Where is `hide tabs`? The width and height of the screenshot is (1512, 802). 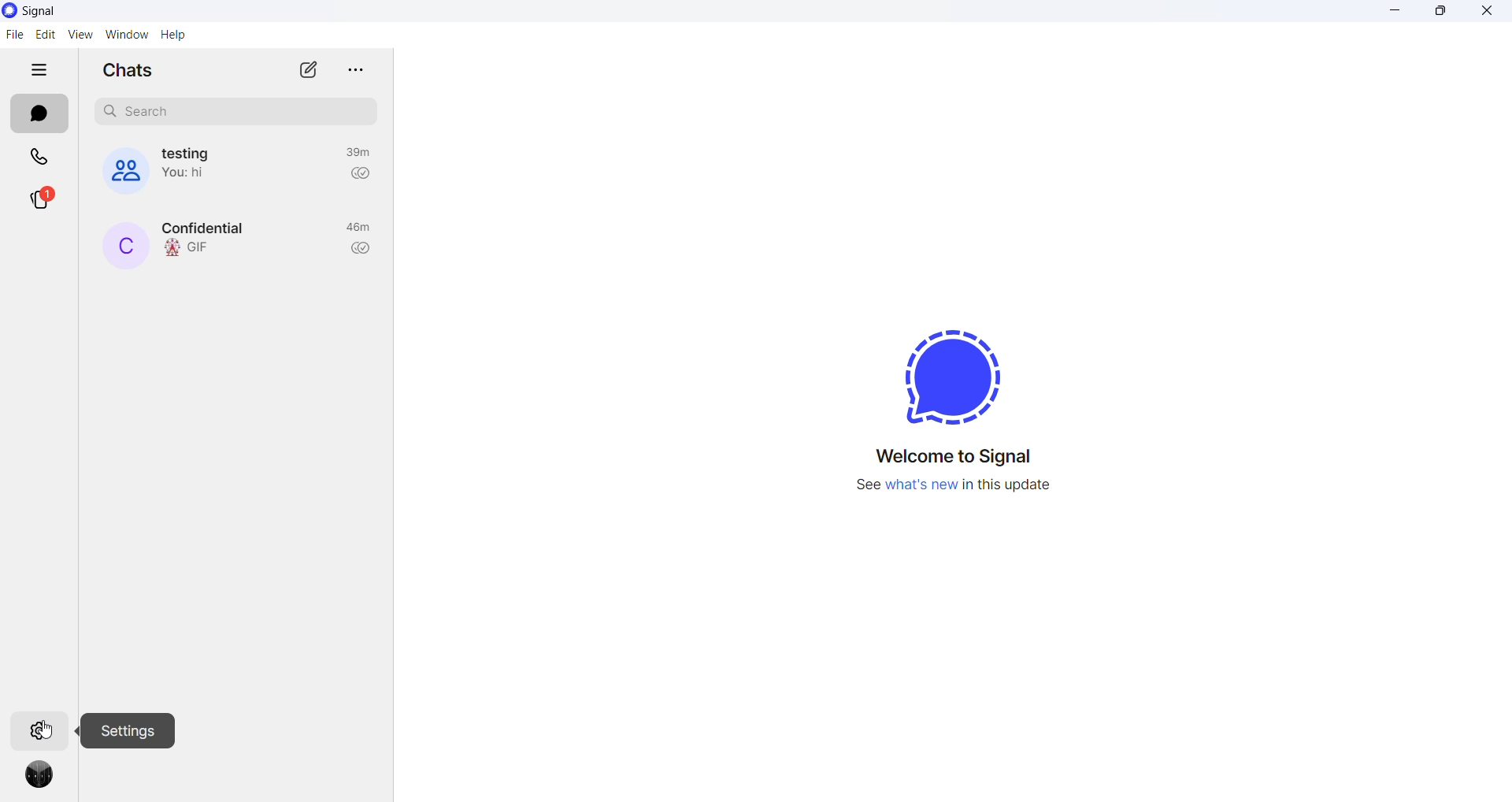
hide tabs is located at coordinates (42, 70).